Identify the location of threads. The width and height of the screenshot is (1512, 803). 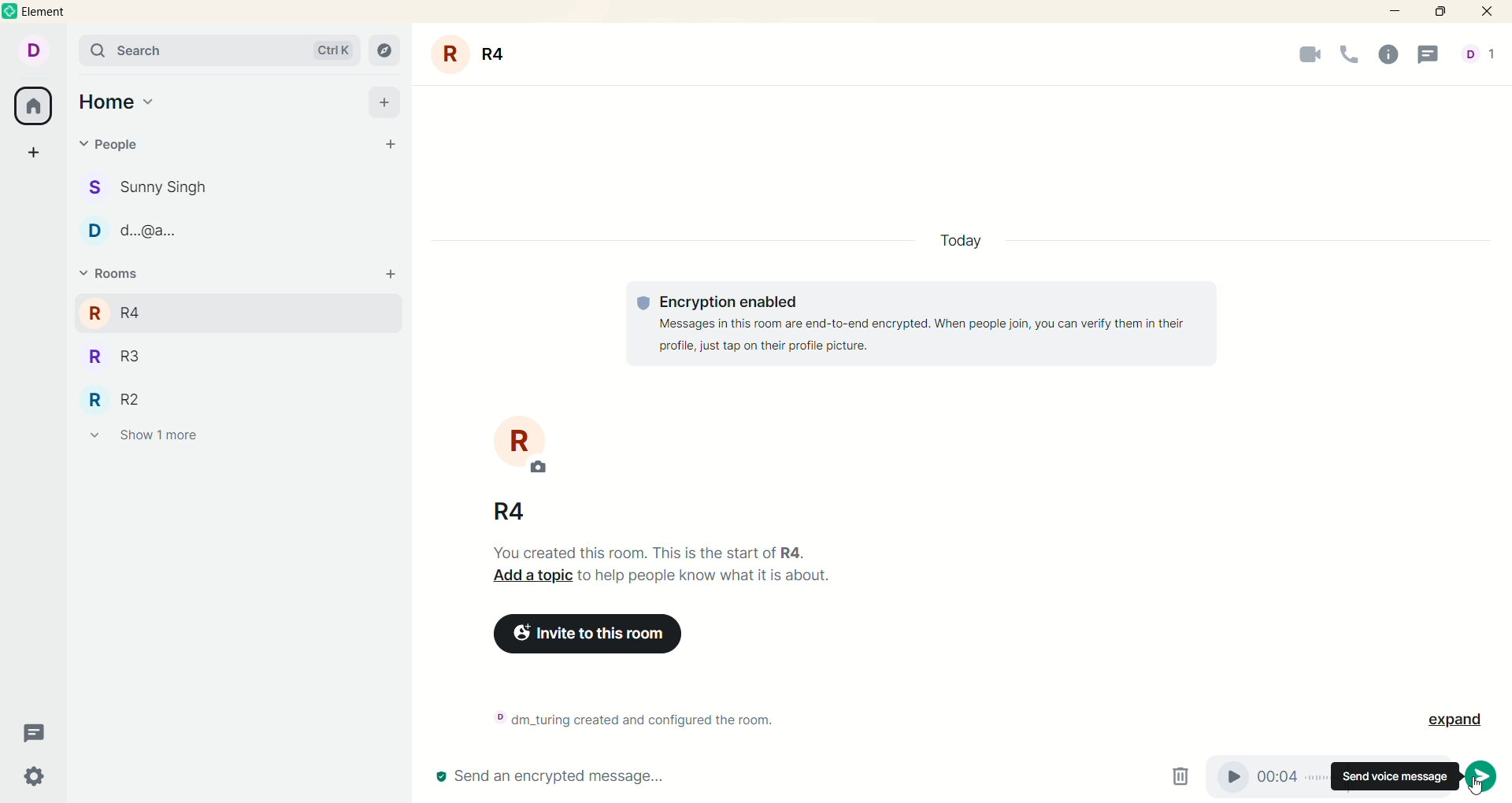
(36, 734).